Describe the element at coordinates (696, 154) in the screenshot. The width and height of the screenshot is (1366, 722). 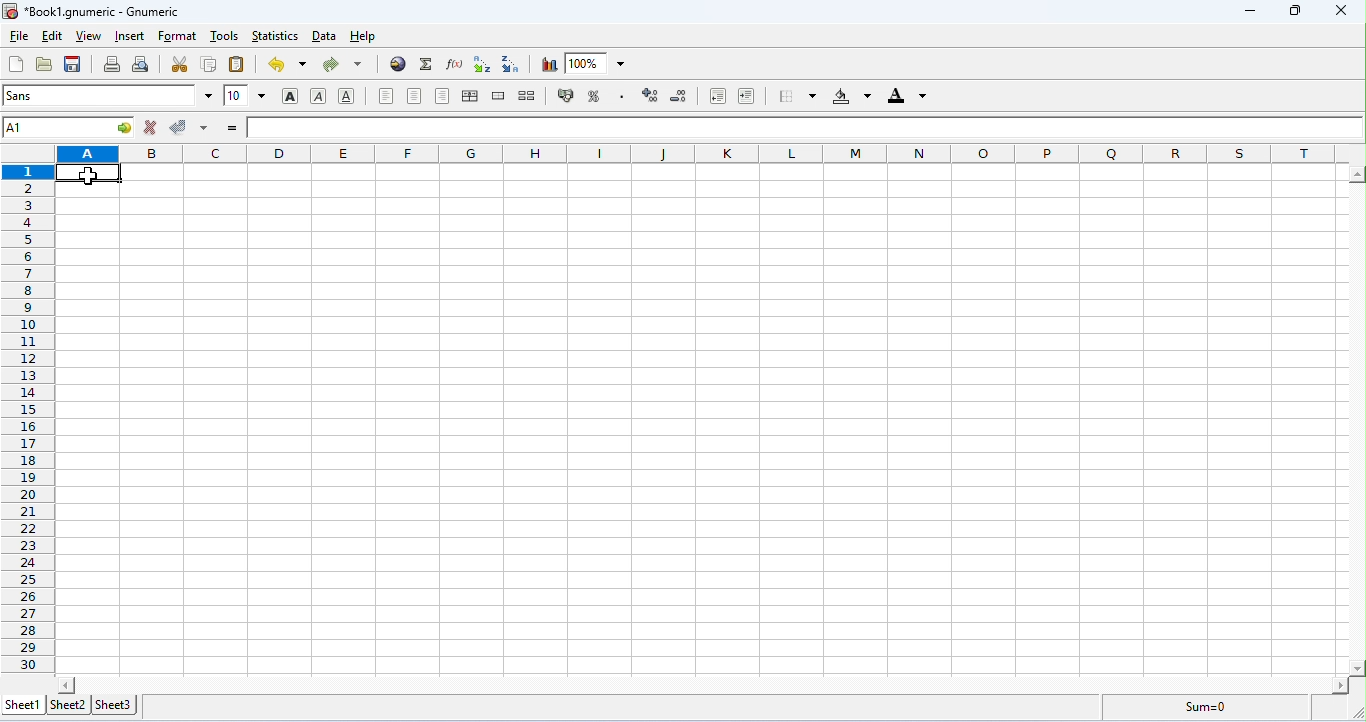
I see `column headings` at that location.